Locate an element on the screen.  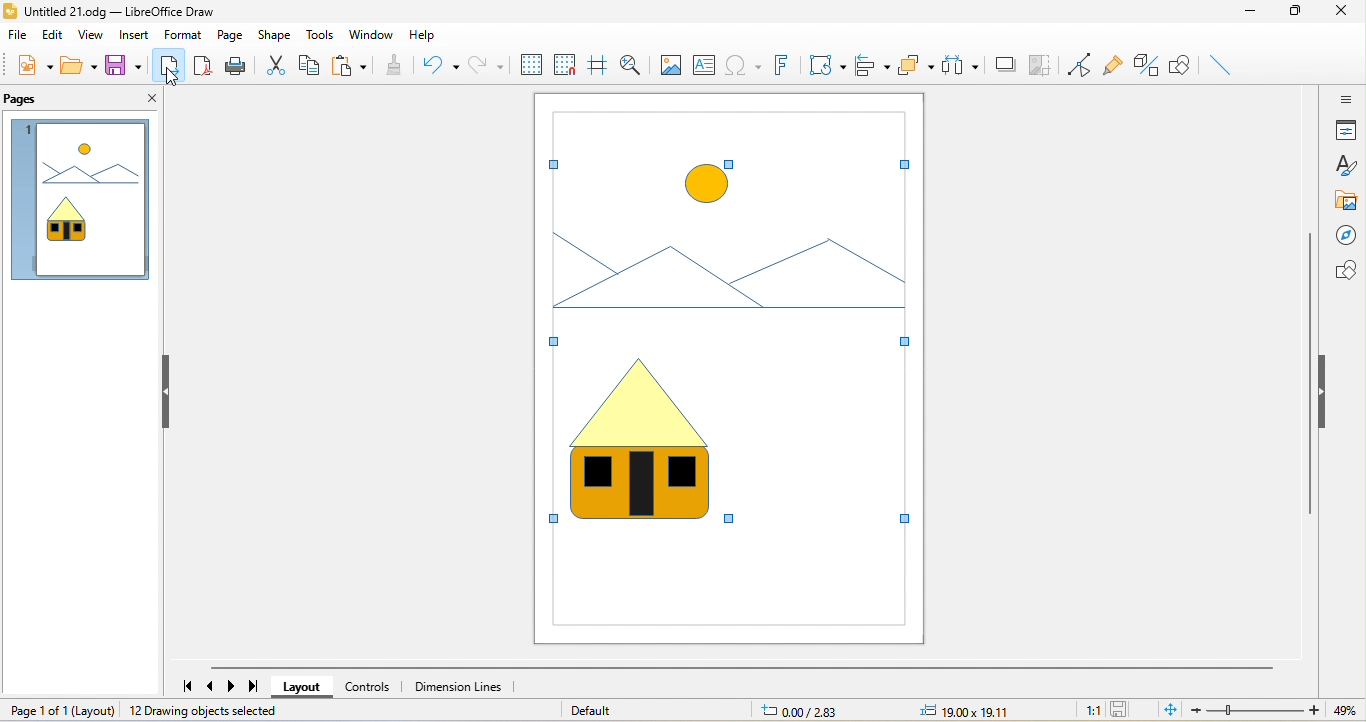
new is located at coordinates (34, 65).